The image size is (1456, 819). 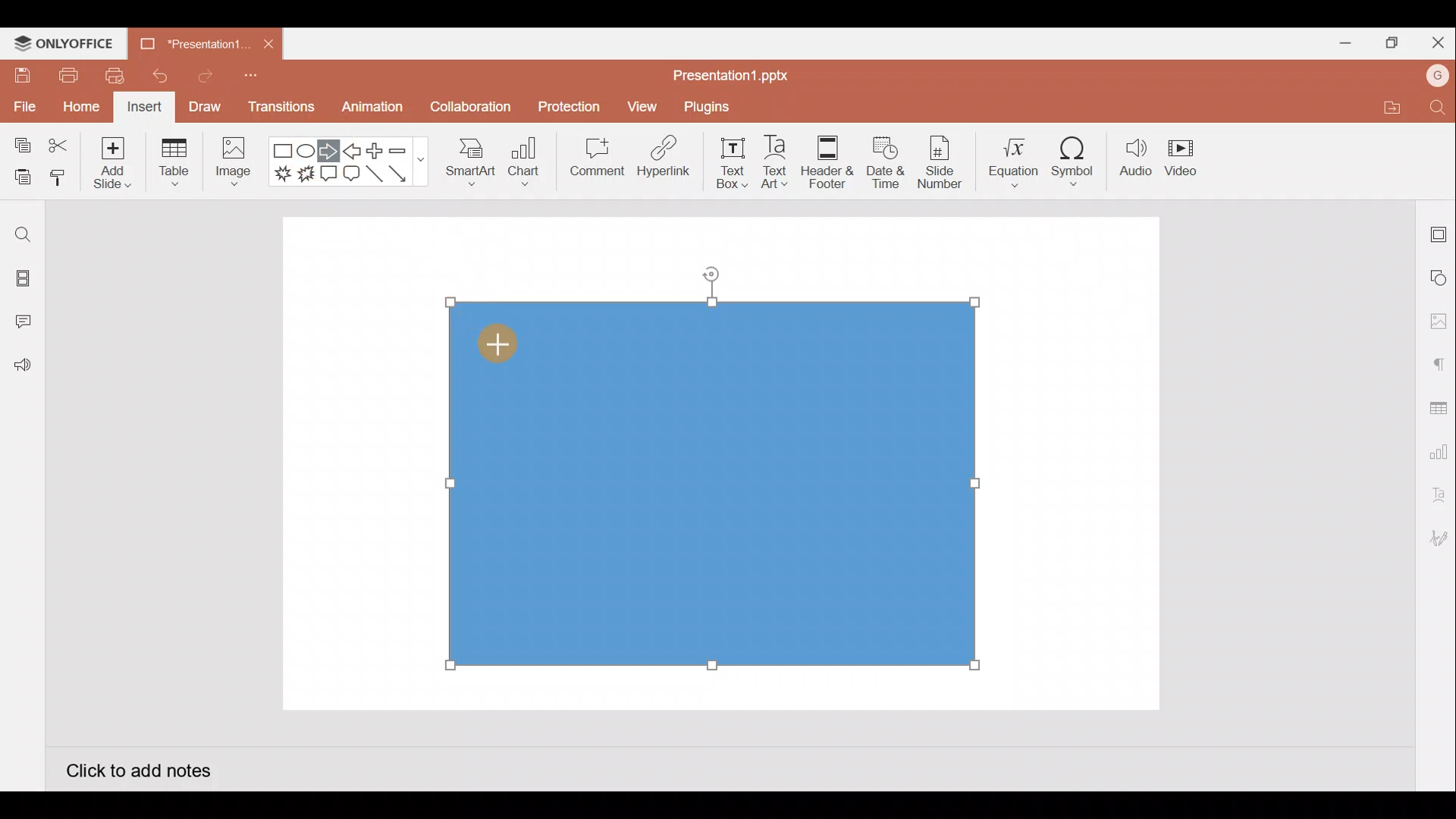 I want to click on Draw, so click(x=204, y=106).